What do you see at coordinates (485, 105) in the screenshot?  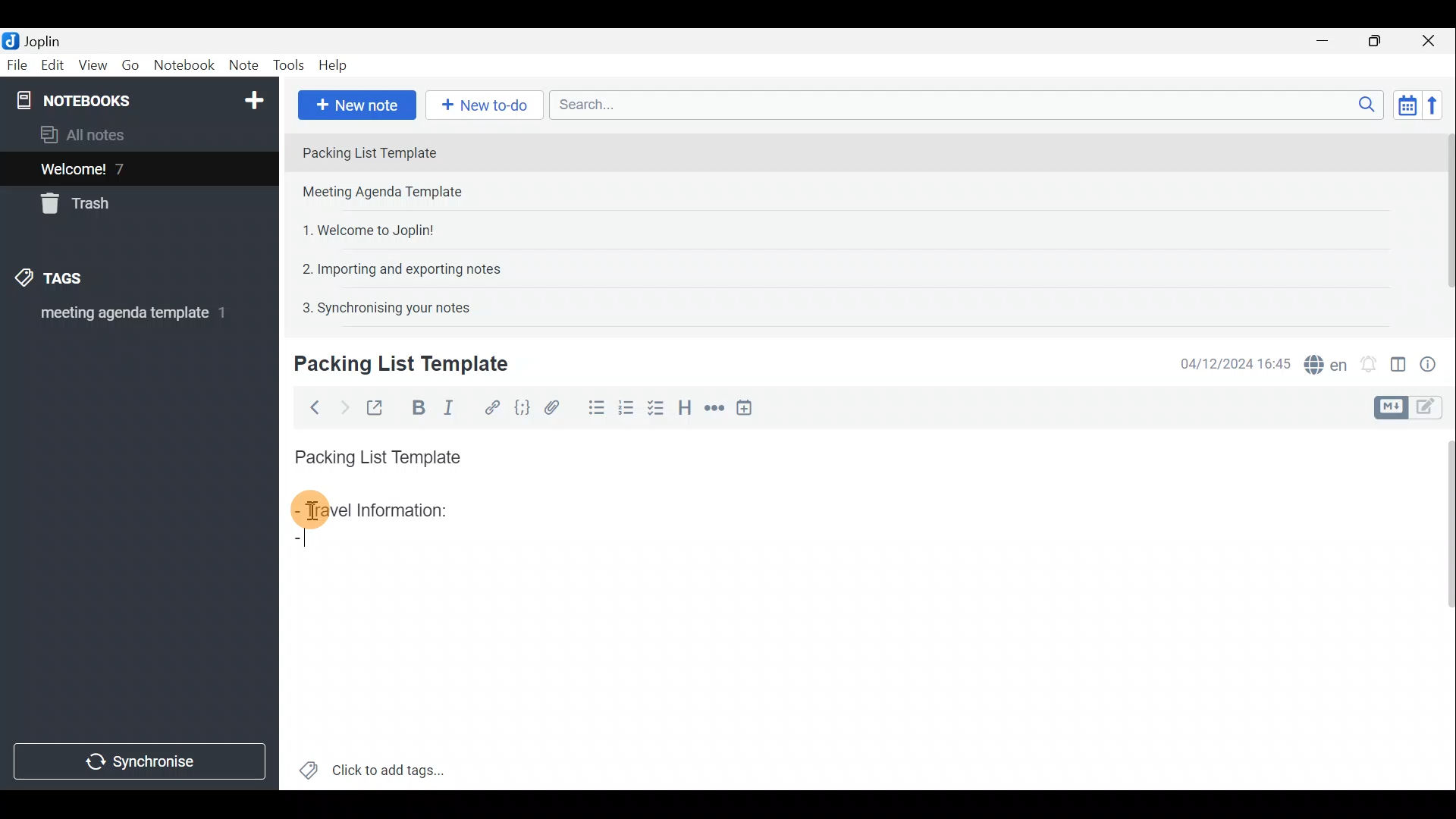 I see `New to-do` at bounding box center [485, 105].